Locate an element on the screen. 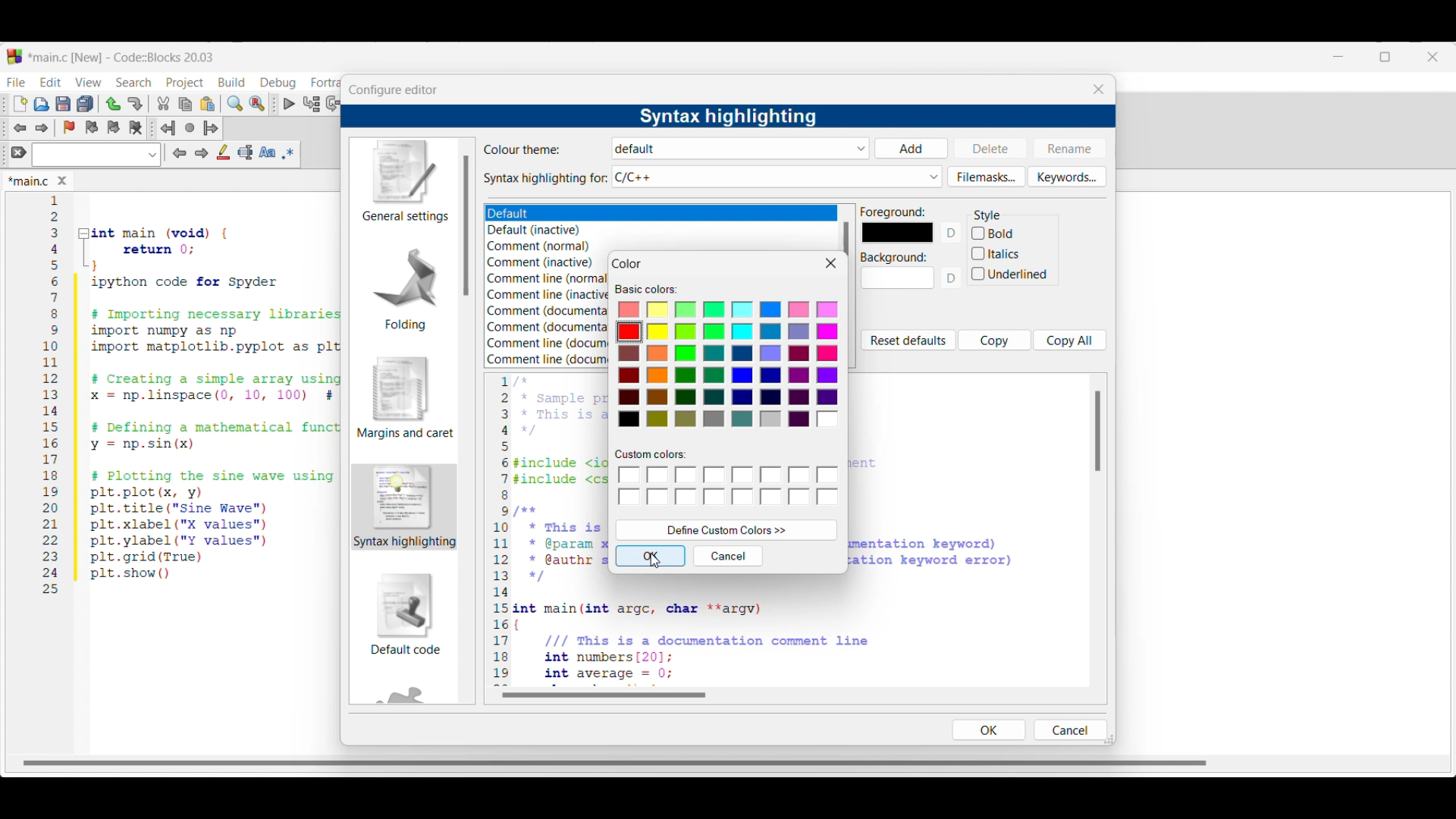  Current tab is located at coordinates (29, 182).